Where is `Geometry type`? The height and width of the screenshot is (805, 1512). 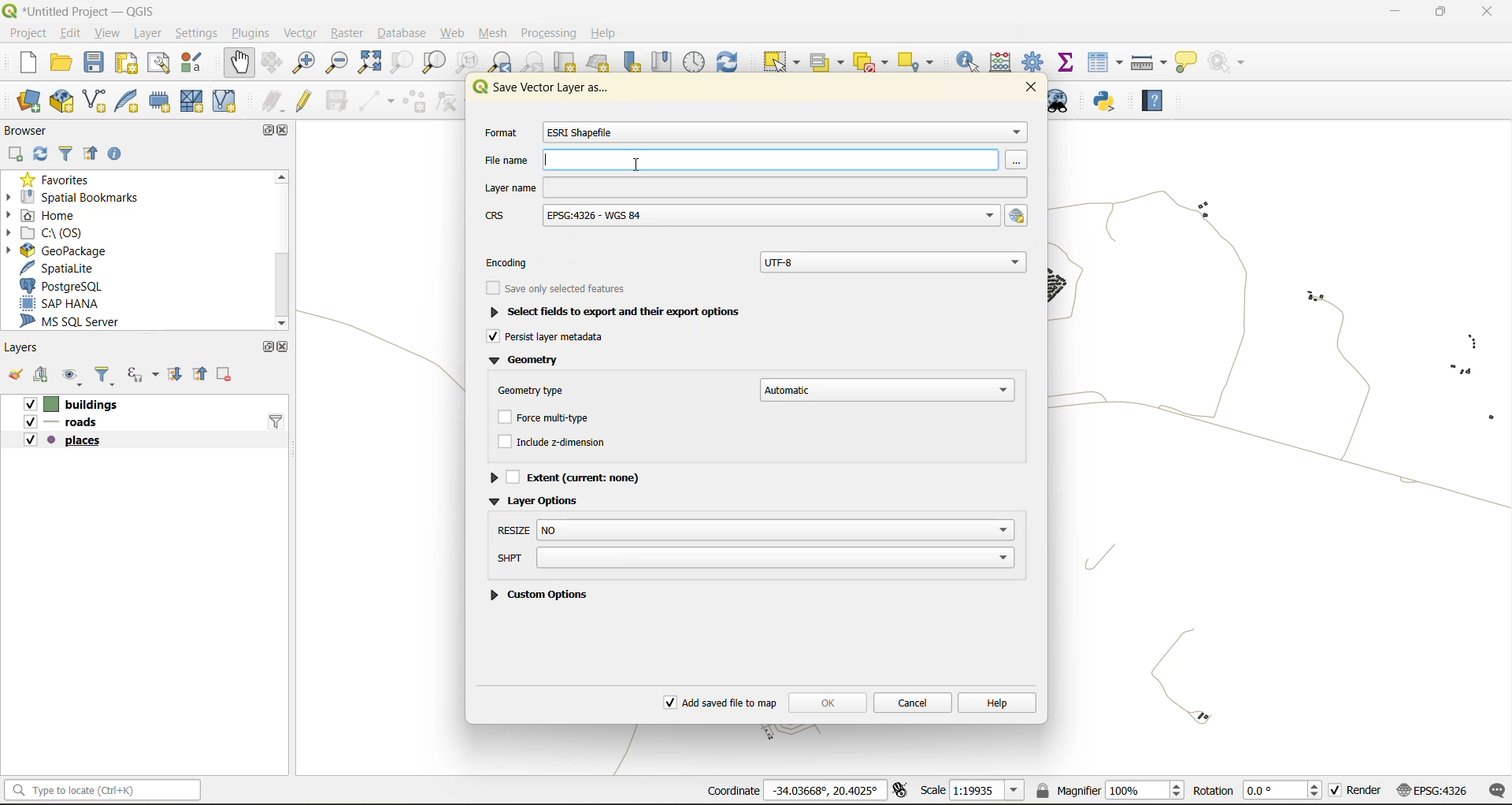
Geometry type is located at coordinates (537, 388).